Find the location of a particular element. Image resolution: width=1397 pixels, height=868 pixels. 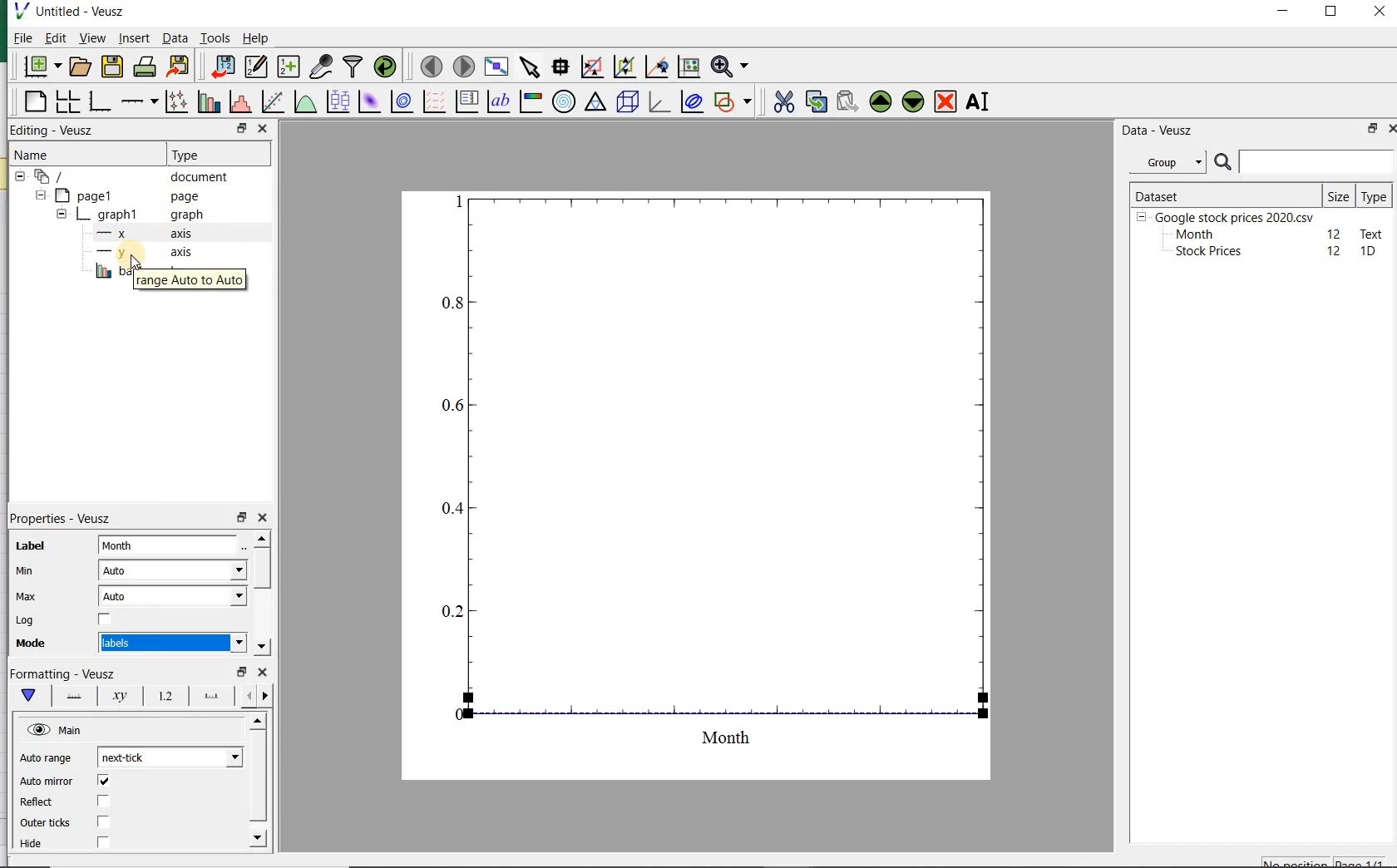

close  is located at coordinates (1396, 129).